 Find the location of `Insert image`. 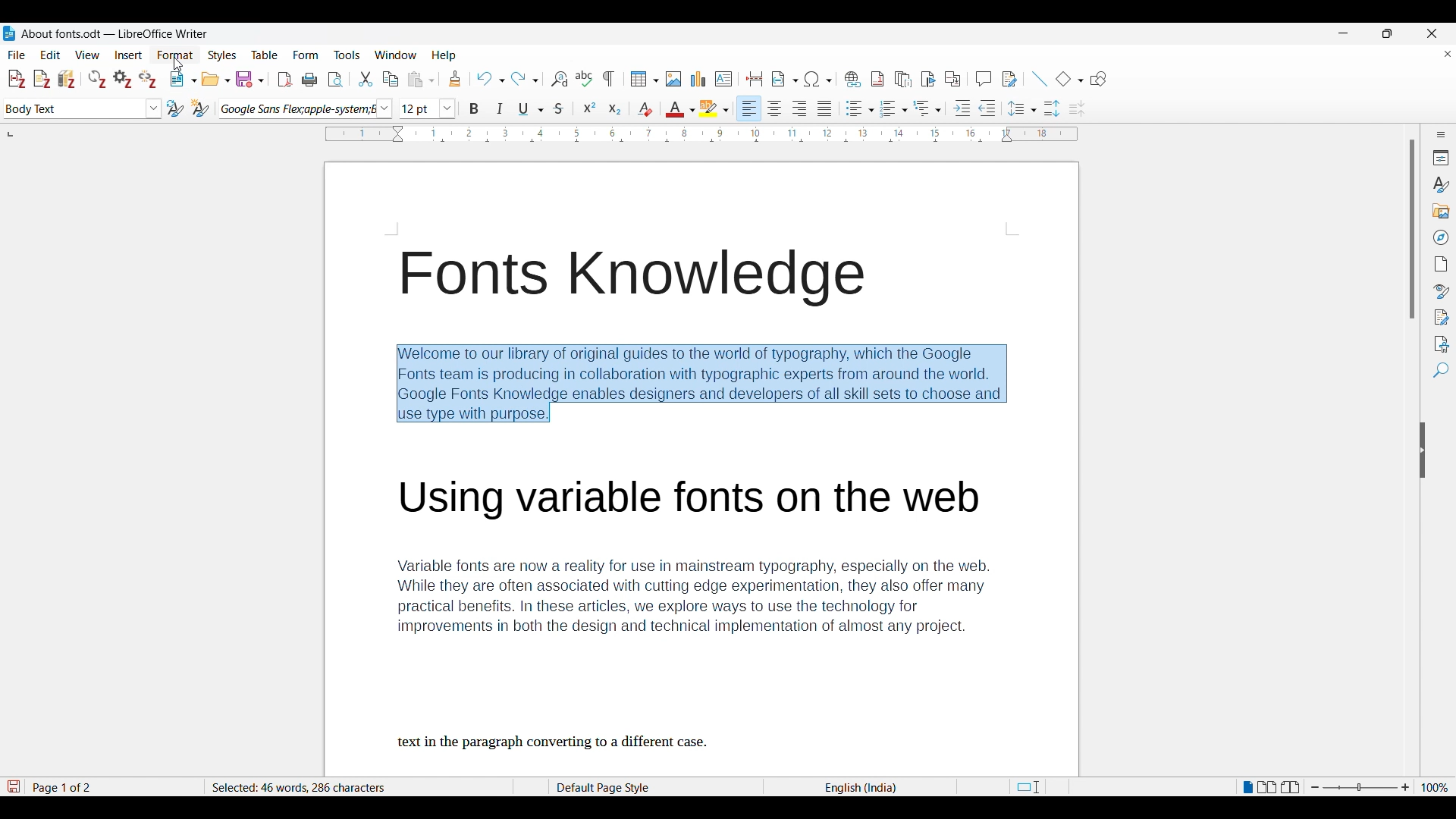

Insert image is located at coordinates (674, 79).